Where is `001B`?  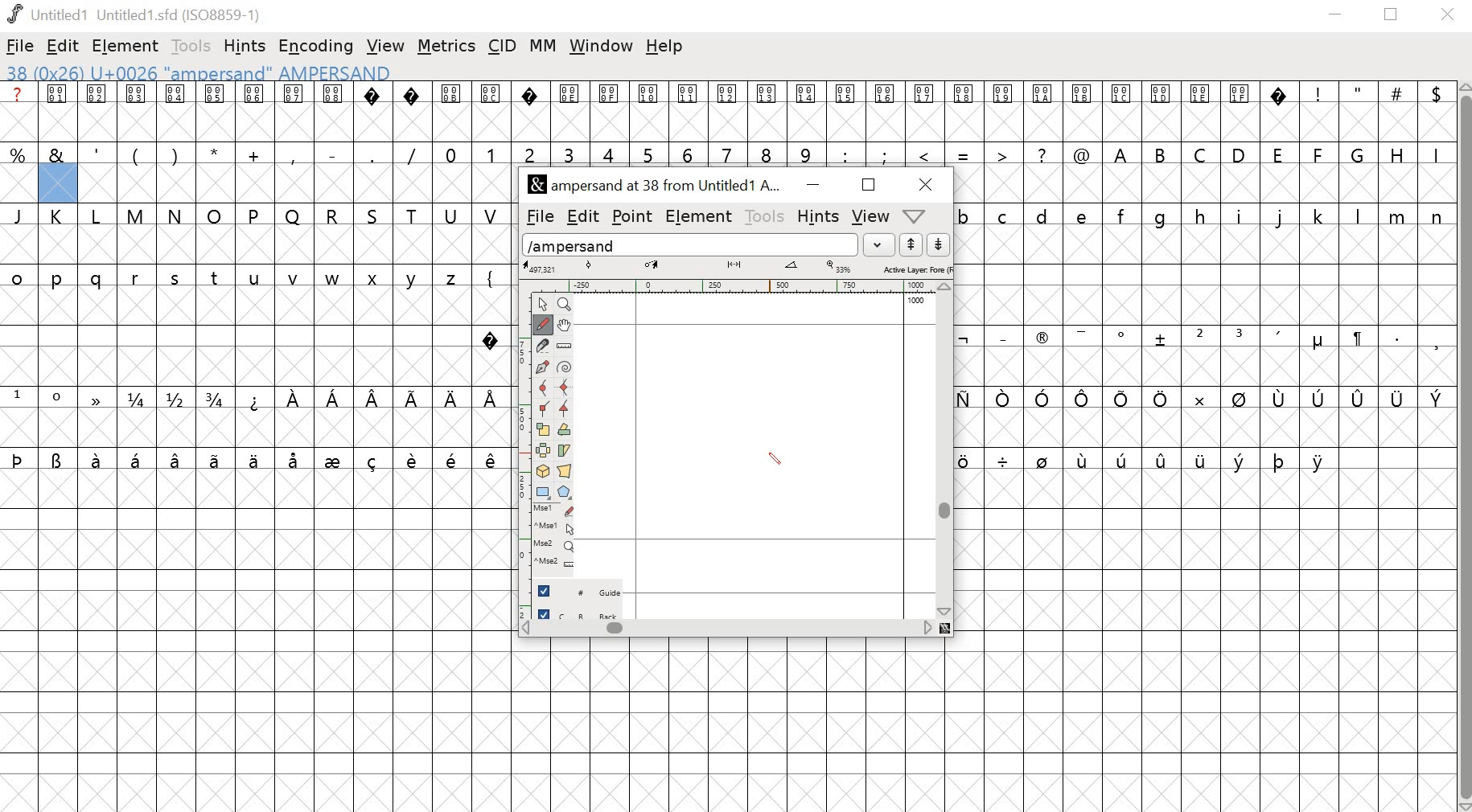
001B is located at coordinates (1079, 111).